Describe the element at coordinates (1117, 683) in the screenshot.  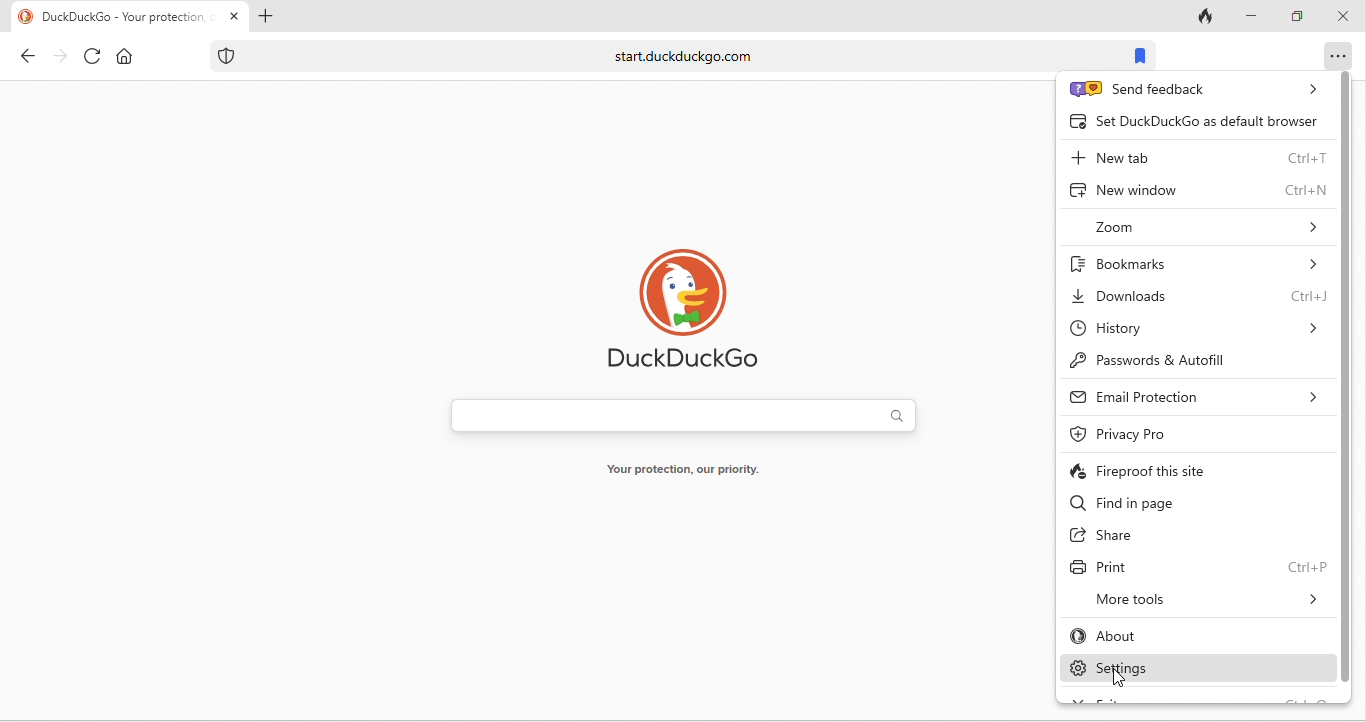
I see `cursor movement` at that location.